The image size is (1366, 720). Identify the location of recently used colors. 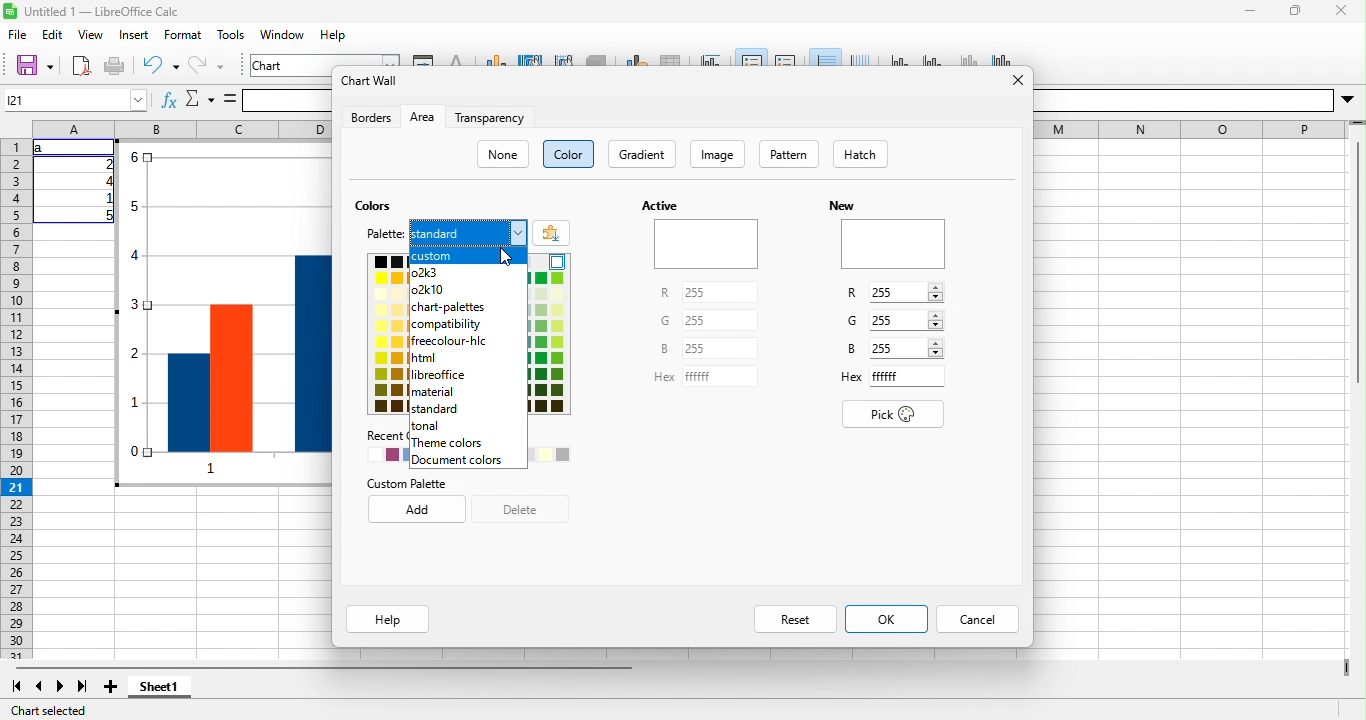
(386, 454).